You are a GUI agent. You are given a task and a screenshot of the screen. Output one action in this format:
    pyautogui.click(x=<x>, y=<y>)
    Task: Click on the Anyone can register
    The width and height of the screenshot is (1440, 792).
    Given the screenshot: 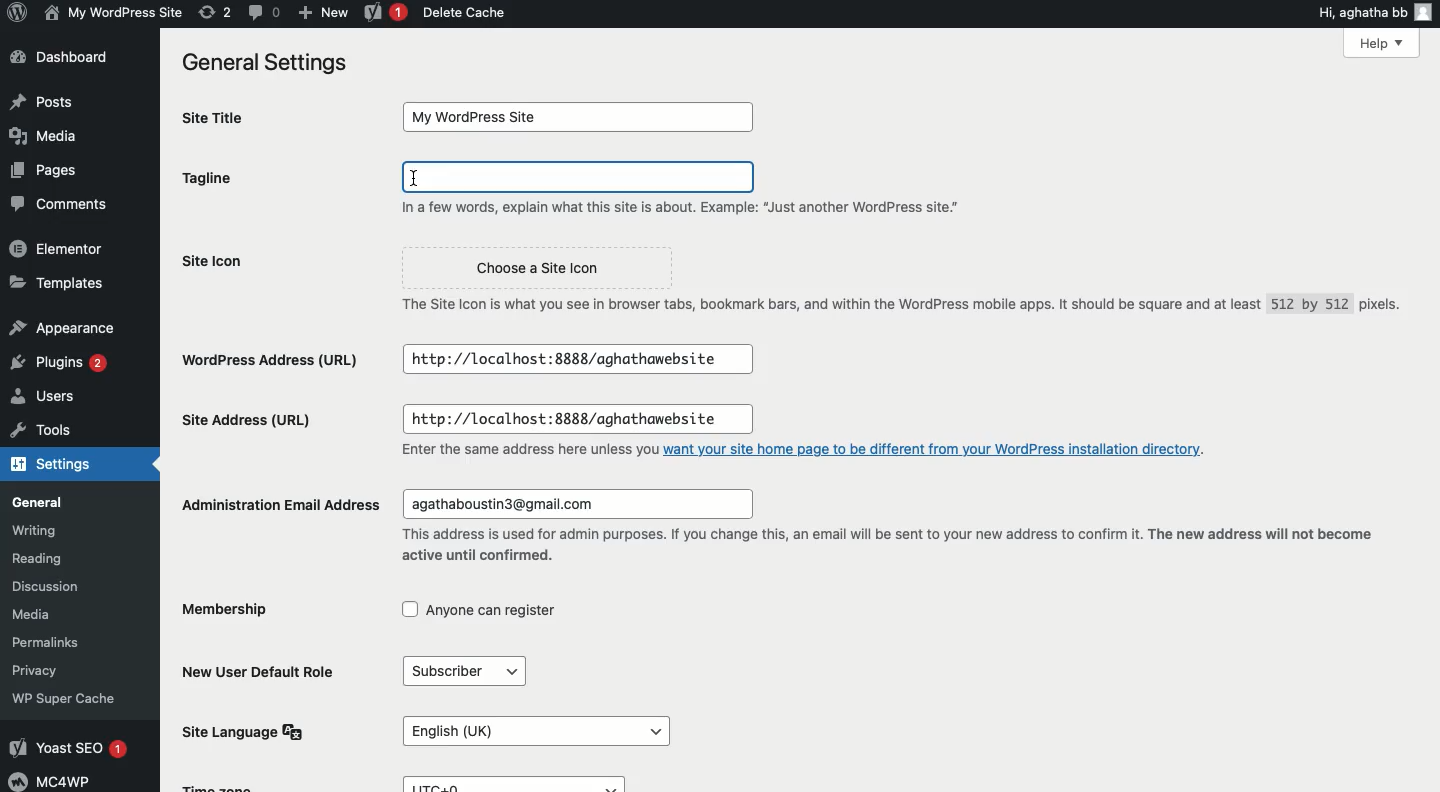 What is the action you would take?
    pyautogui.click(x=488, y=612)
    